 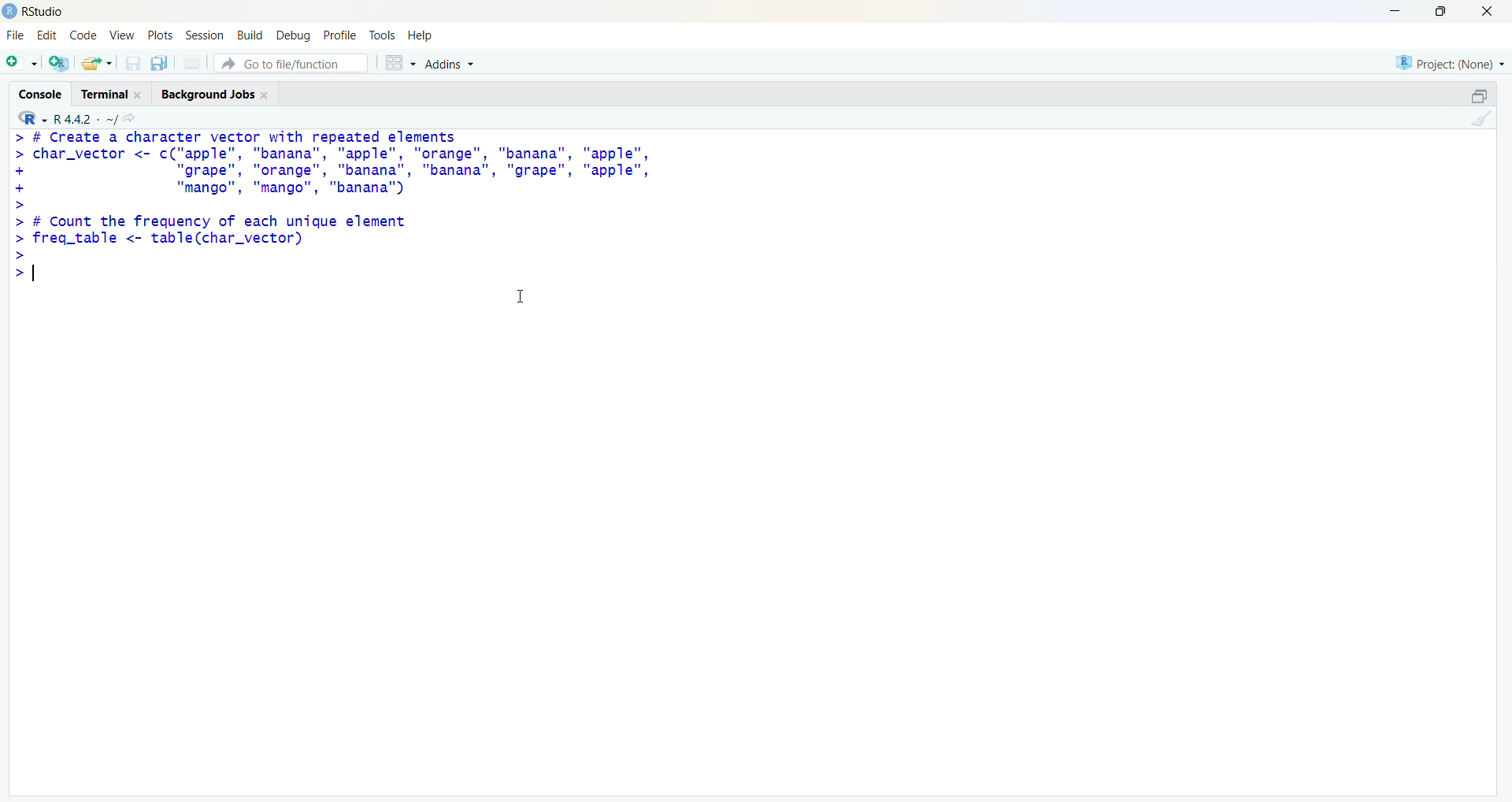 I want to click on Plots, so click(x=161, y=36).